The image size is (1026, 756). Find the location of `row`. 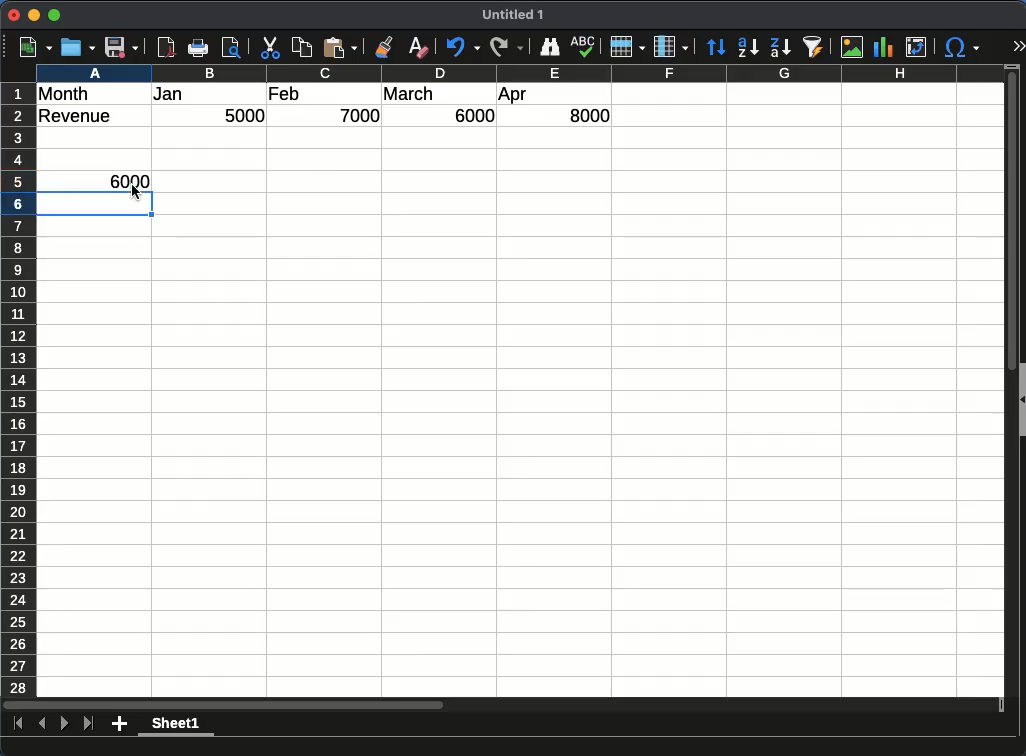

row is located at coordinates (626, 47).